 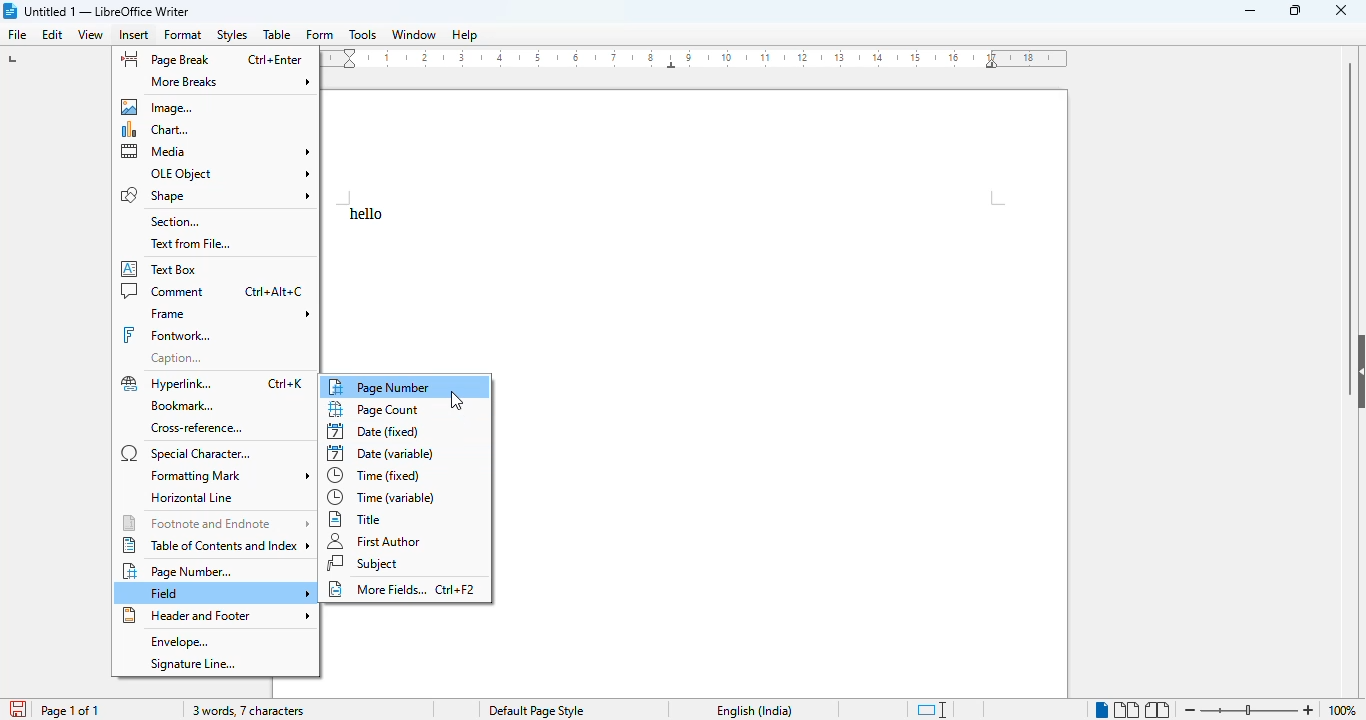 What do you see at coordinates (167, 335) in the screenshot?
I see `fontwork` at bounding box center [167, 335].